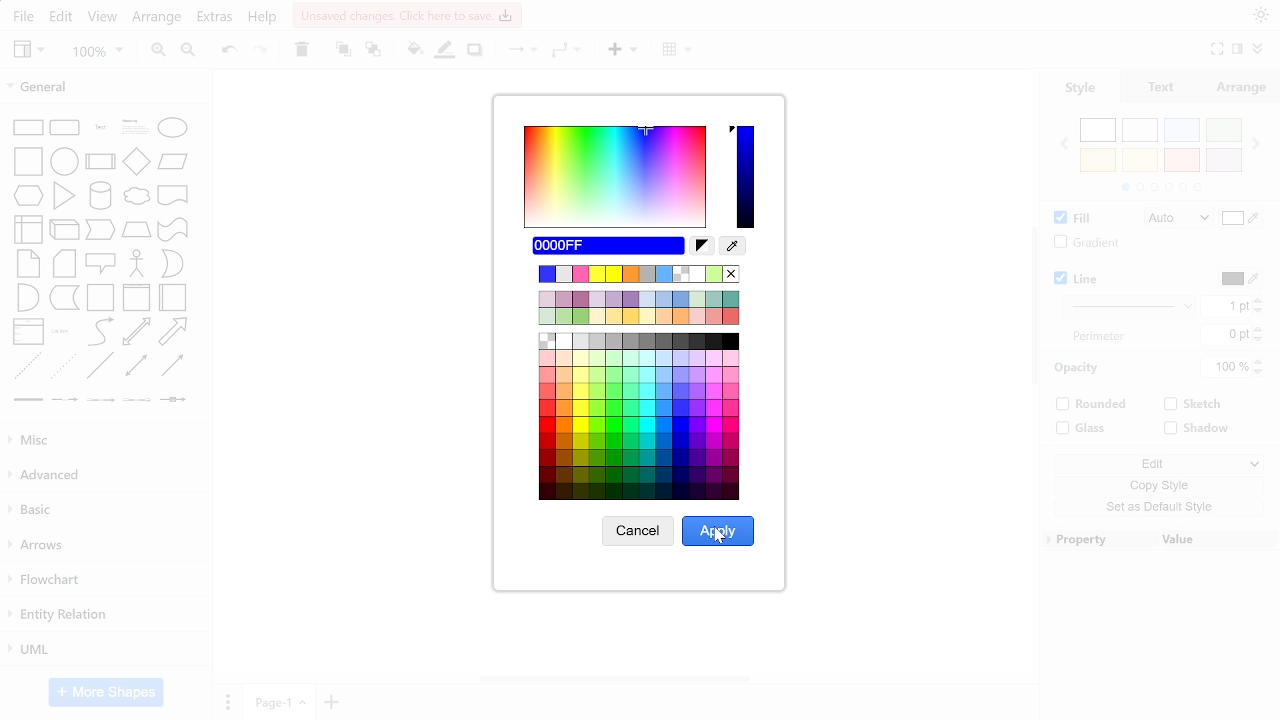 This screenshot has width=1280, height=720. What do you see at coordinates (1192, 406) in the screenshot?
I see `sketch` at bounding box center [1192, 406].